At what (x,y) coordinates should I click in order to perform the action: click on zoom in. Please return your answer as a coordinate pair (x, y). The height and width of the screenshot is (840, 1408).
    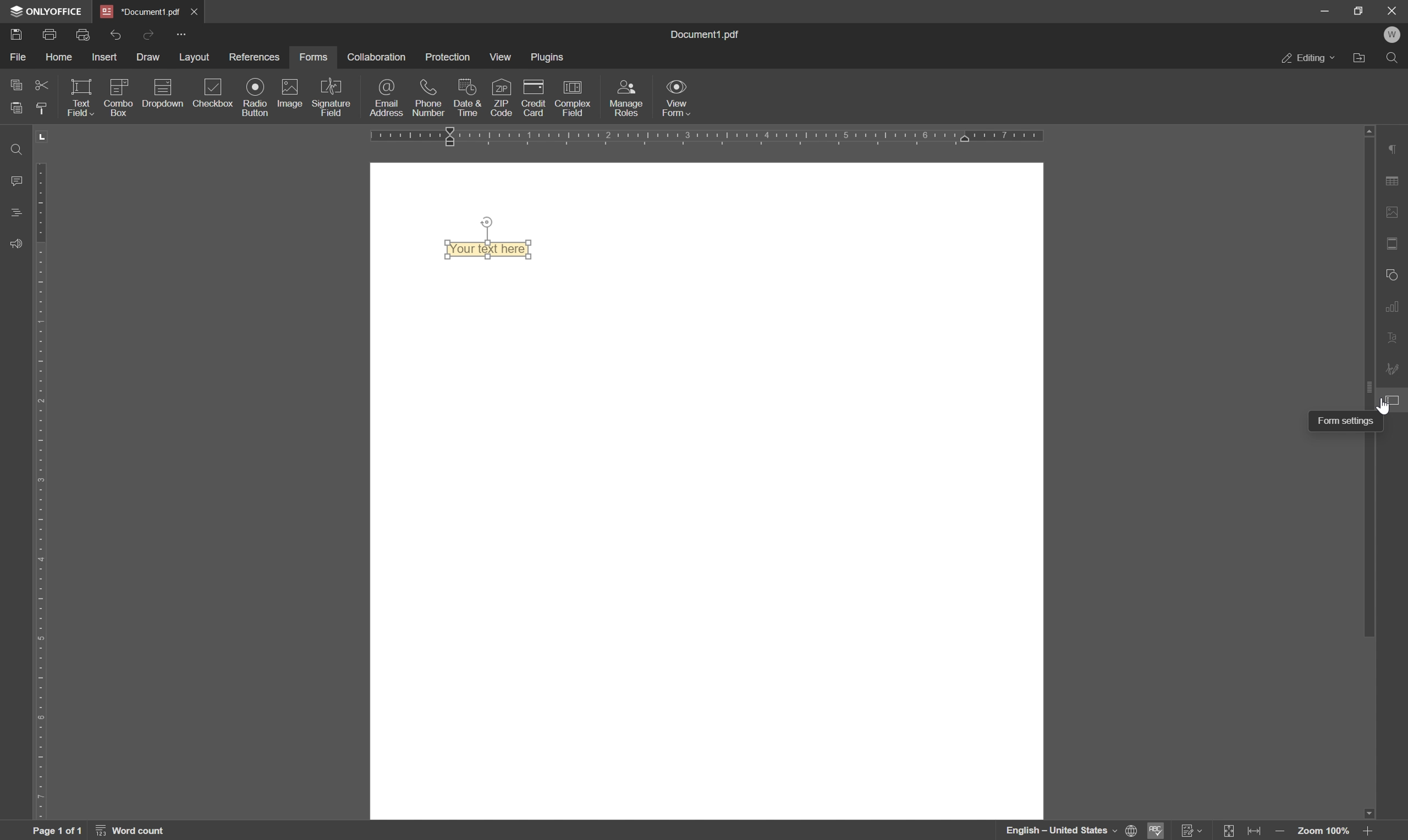
    Looking at the image, I should click on (1370, 832).